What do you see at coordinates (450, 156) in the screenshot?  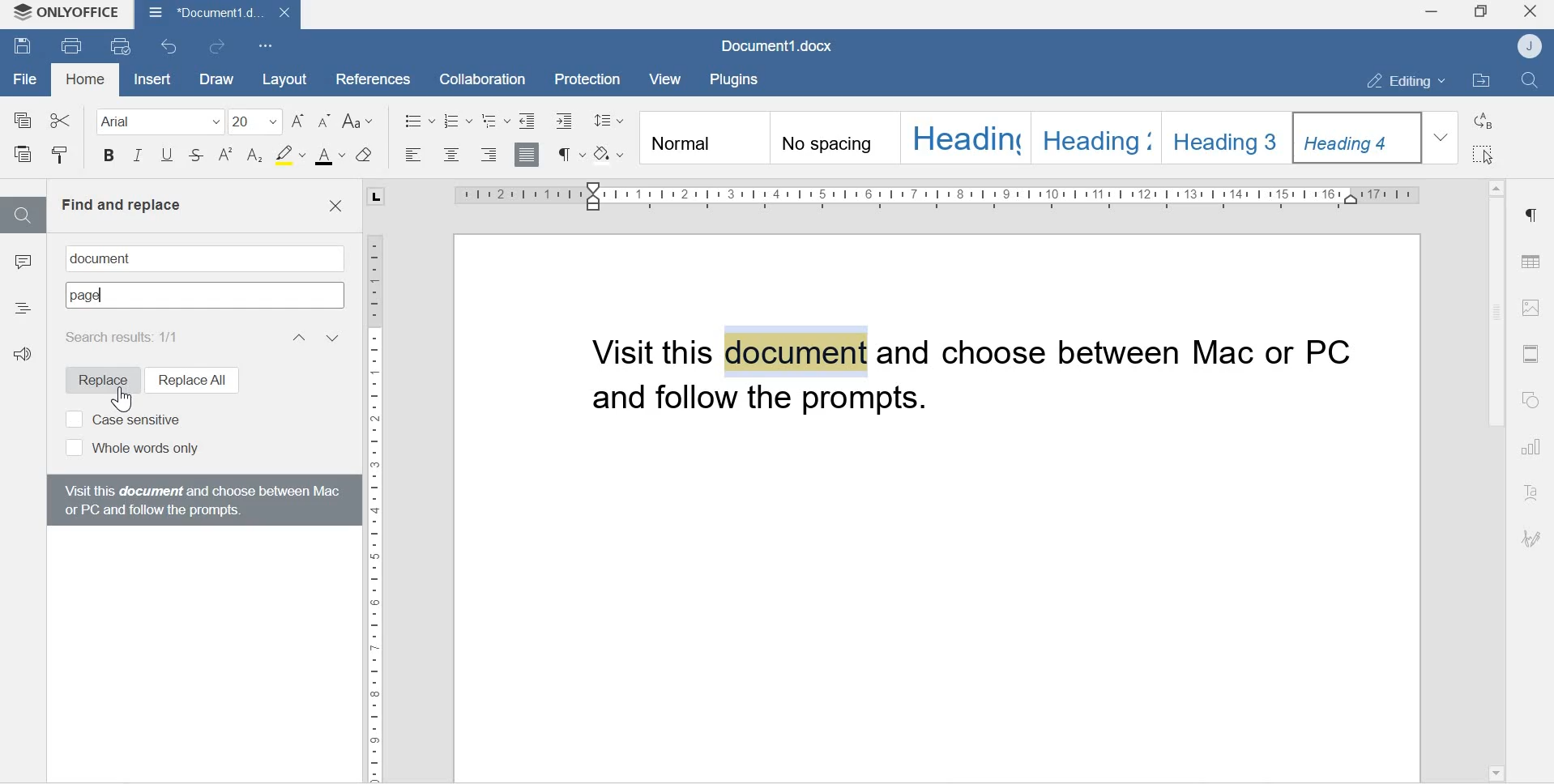 I see `Align center` at bounding box center [450, 156].